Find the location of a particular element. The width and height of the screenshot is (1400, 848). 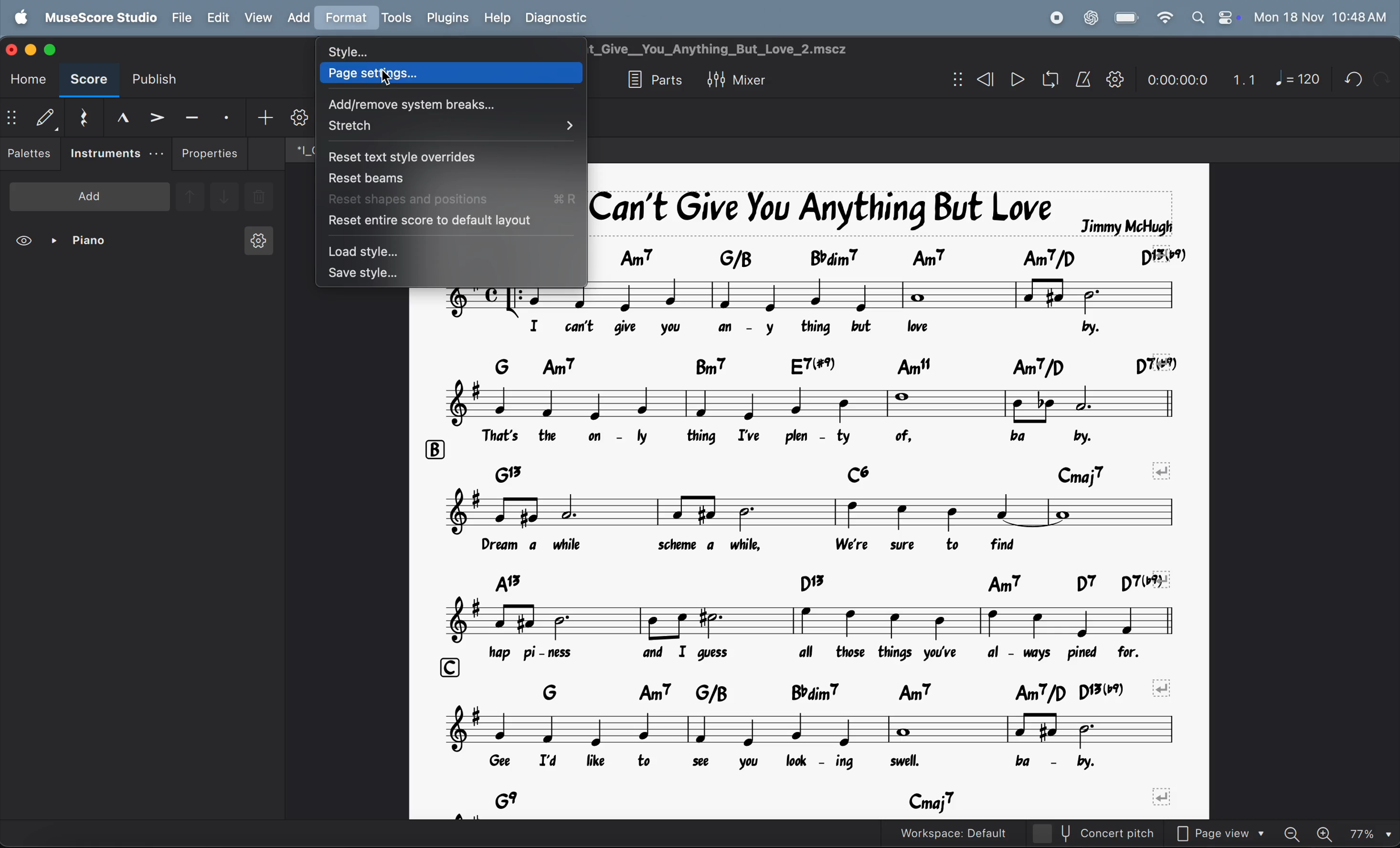

down tone is located at coordinates (225, 198).